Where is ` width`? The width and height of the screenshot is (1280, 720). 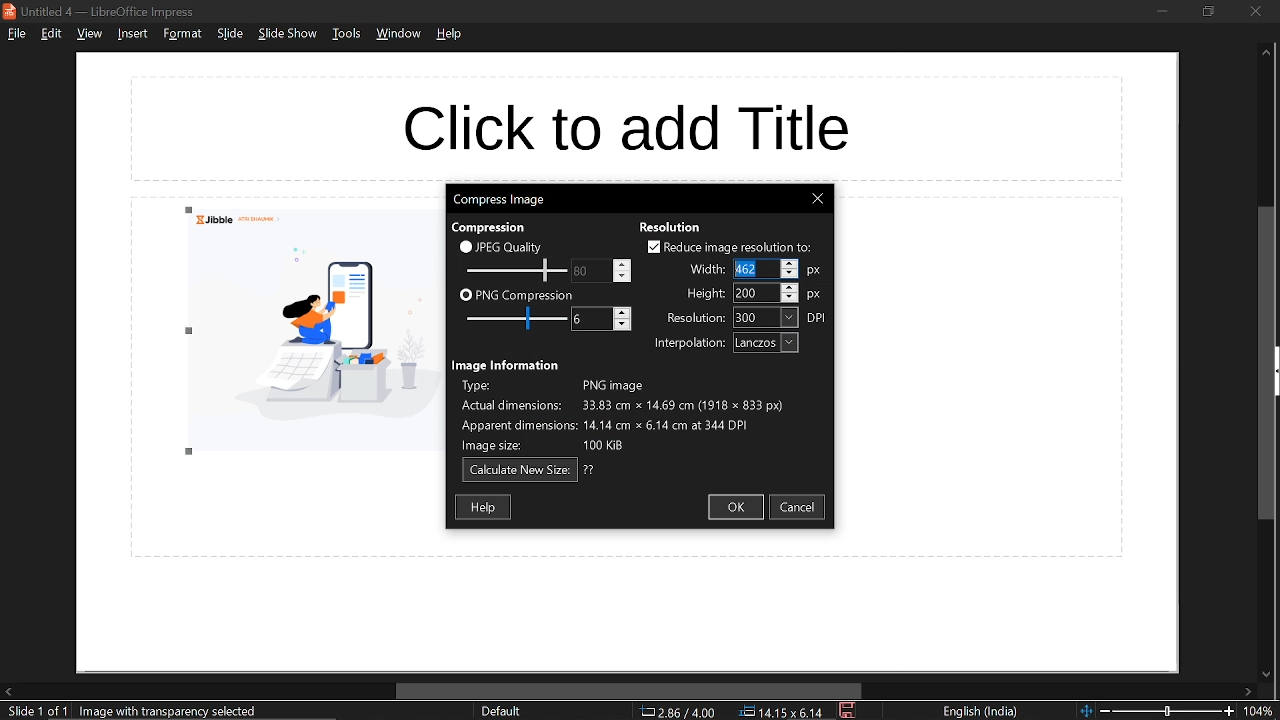
 width is located at coordinates (754, 269).